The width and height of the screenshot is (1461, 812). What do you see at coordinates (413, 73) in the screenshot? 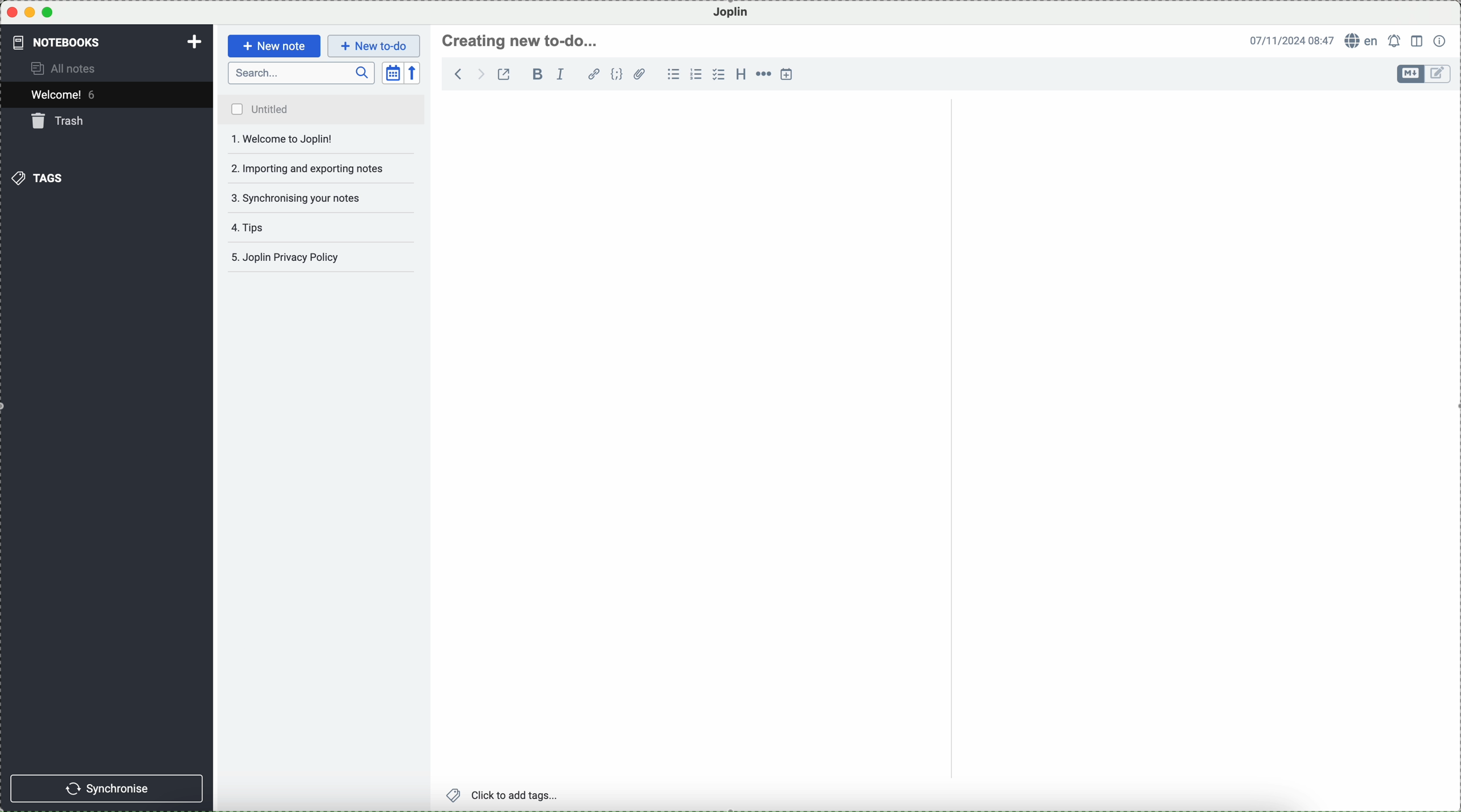
I see `reverse sort order` at bounding box center [413, 73].